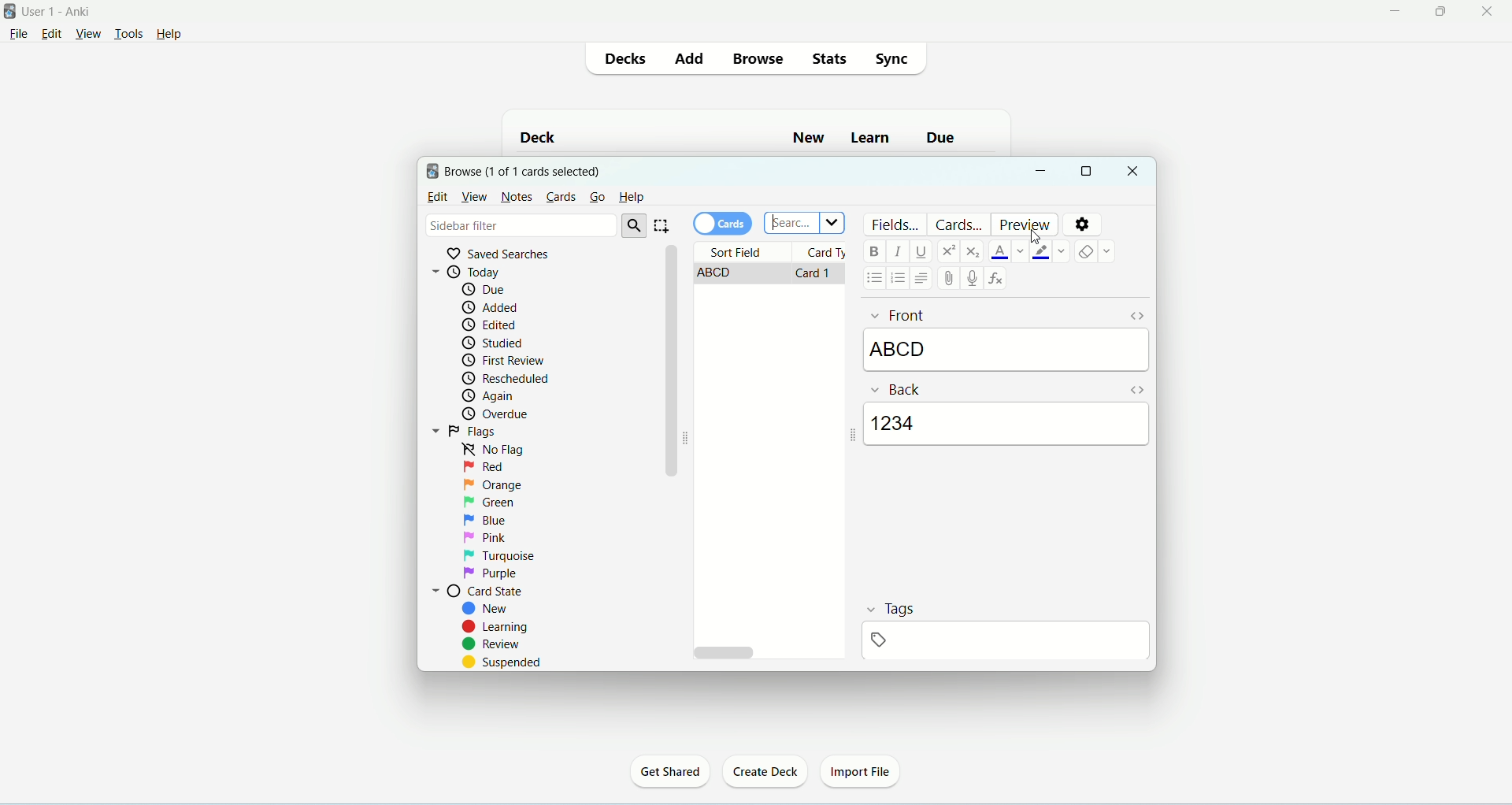 The image size is (1512, 805). What do you see at coordinates (484, 270) in the screenshot?
I see `today` at bounding box center [484, 270].